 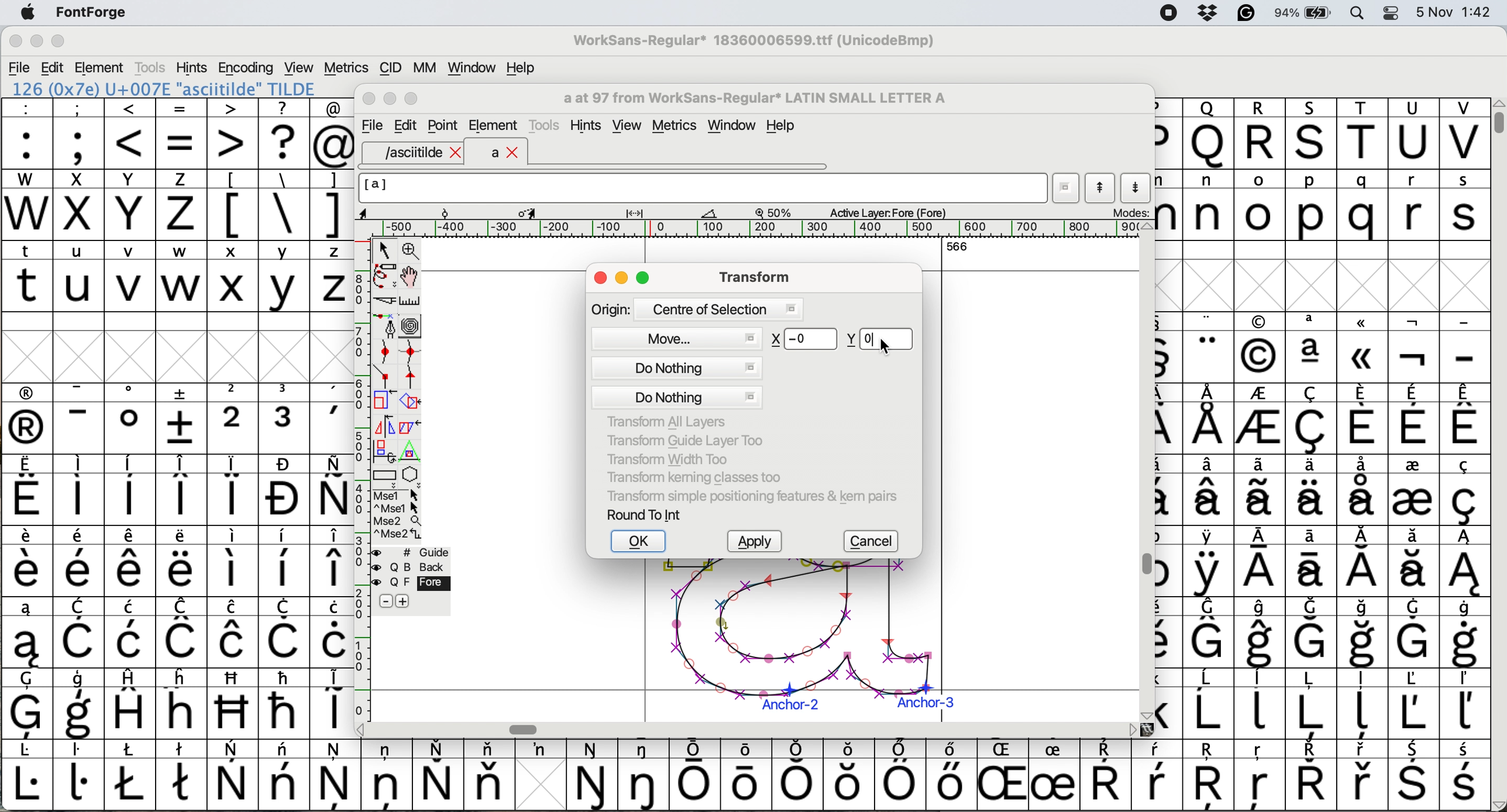 I want to click on measure distance, so click(x=411, y=301).